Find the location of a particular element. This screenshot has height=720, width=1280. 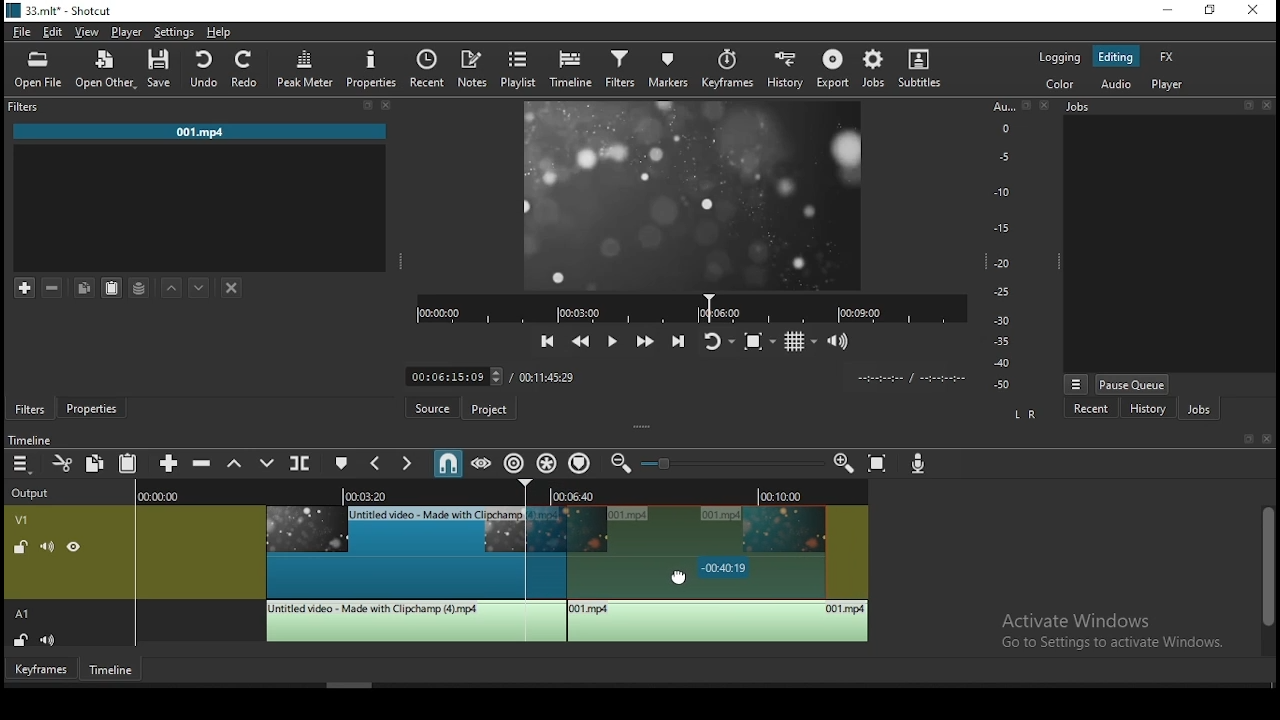

play/pause is located at coordinates (613, 341).